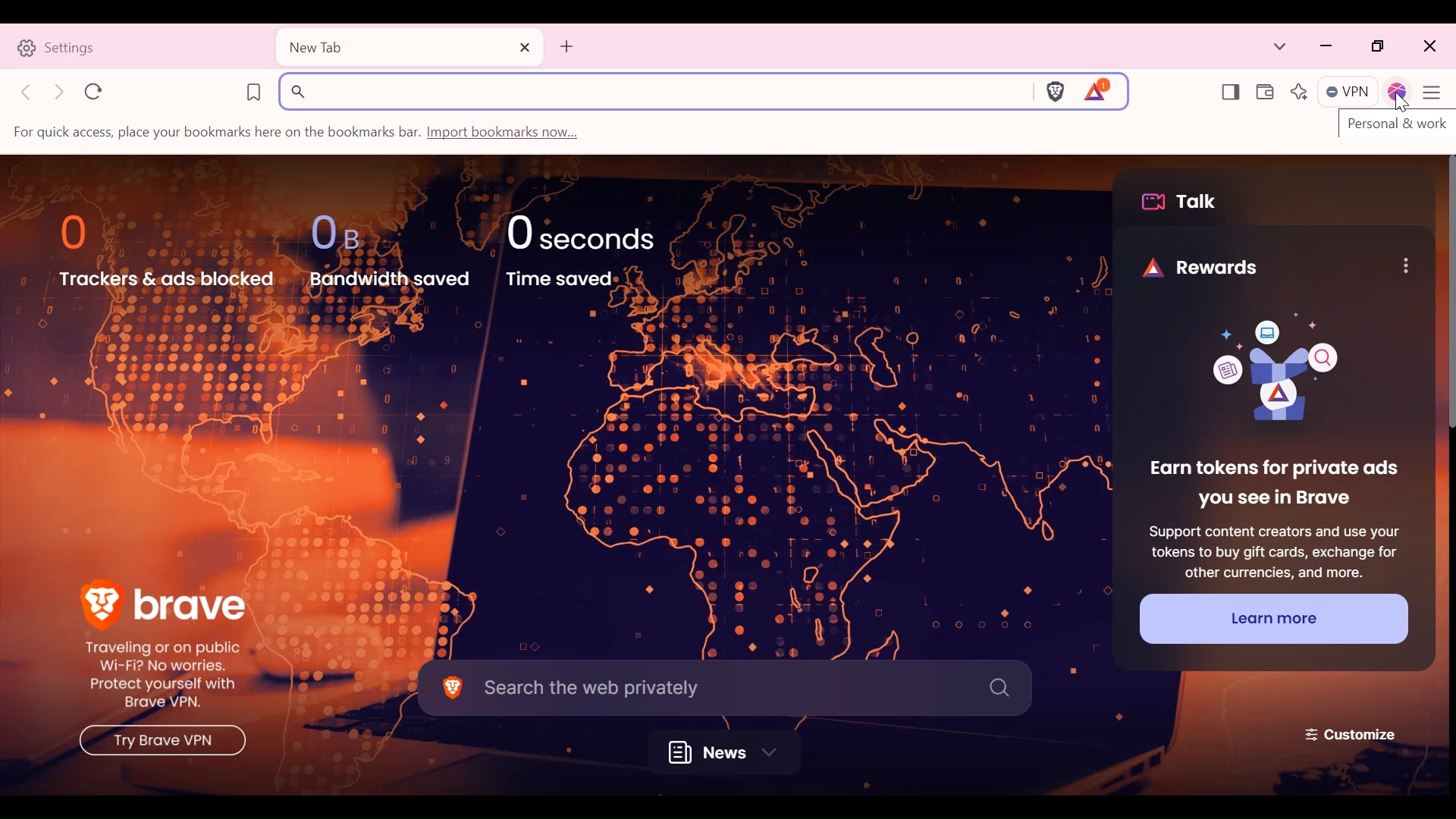  Describe the element at coordinates (1099, 90) in the screenshot. I see `Tokens` at that location.